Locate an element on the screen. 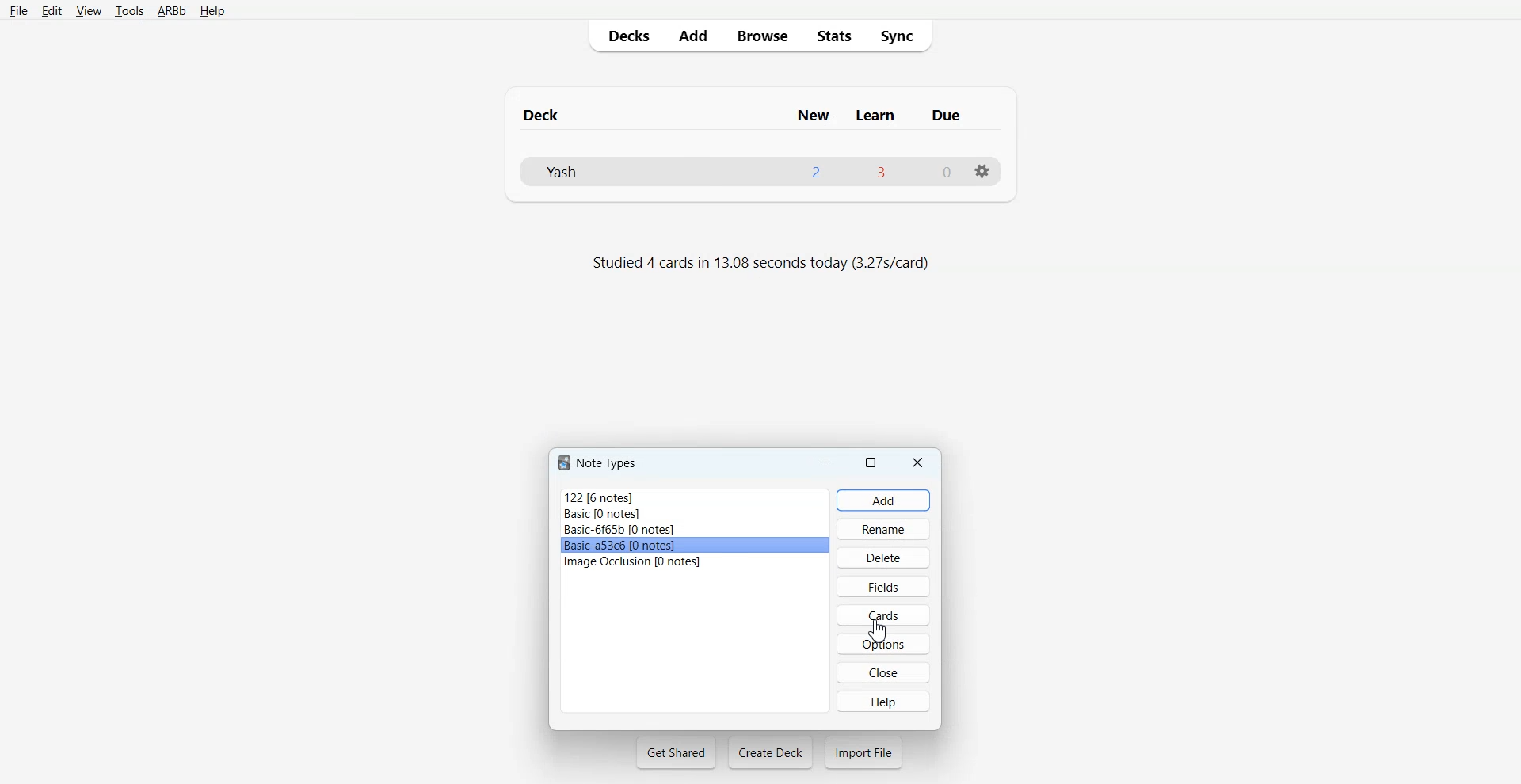 Image resolution: width=1521 pixels, height=784 pixels. Rename is located at coordinates (884, 528).